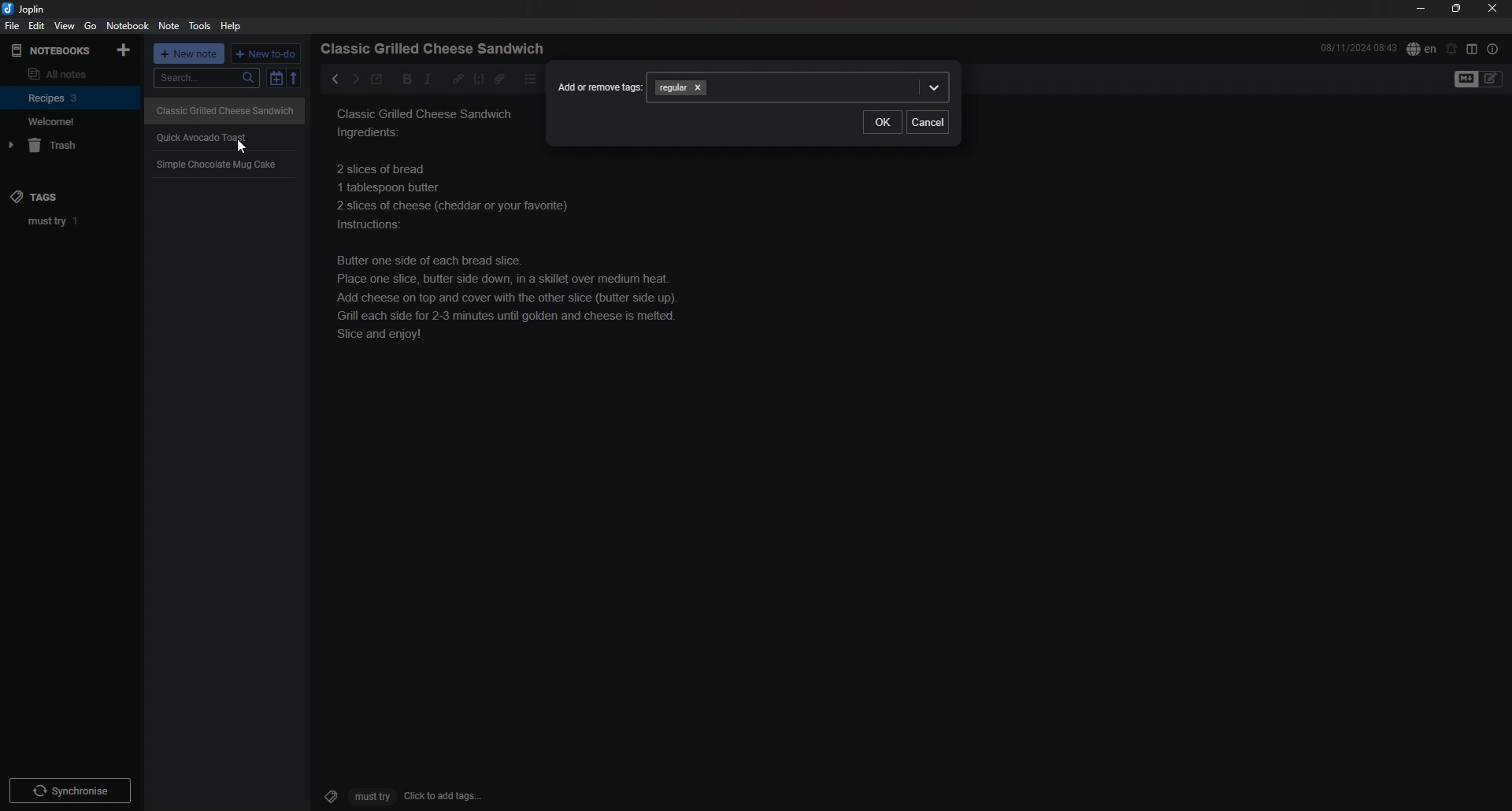  Describe the element at coordinates (1494, 8) in the screenshot. I see `close` at that location.